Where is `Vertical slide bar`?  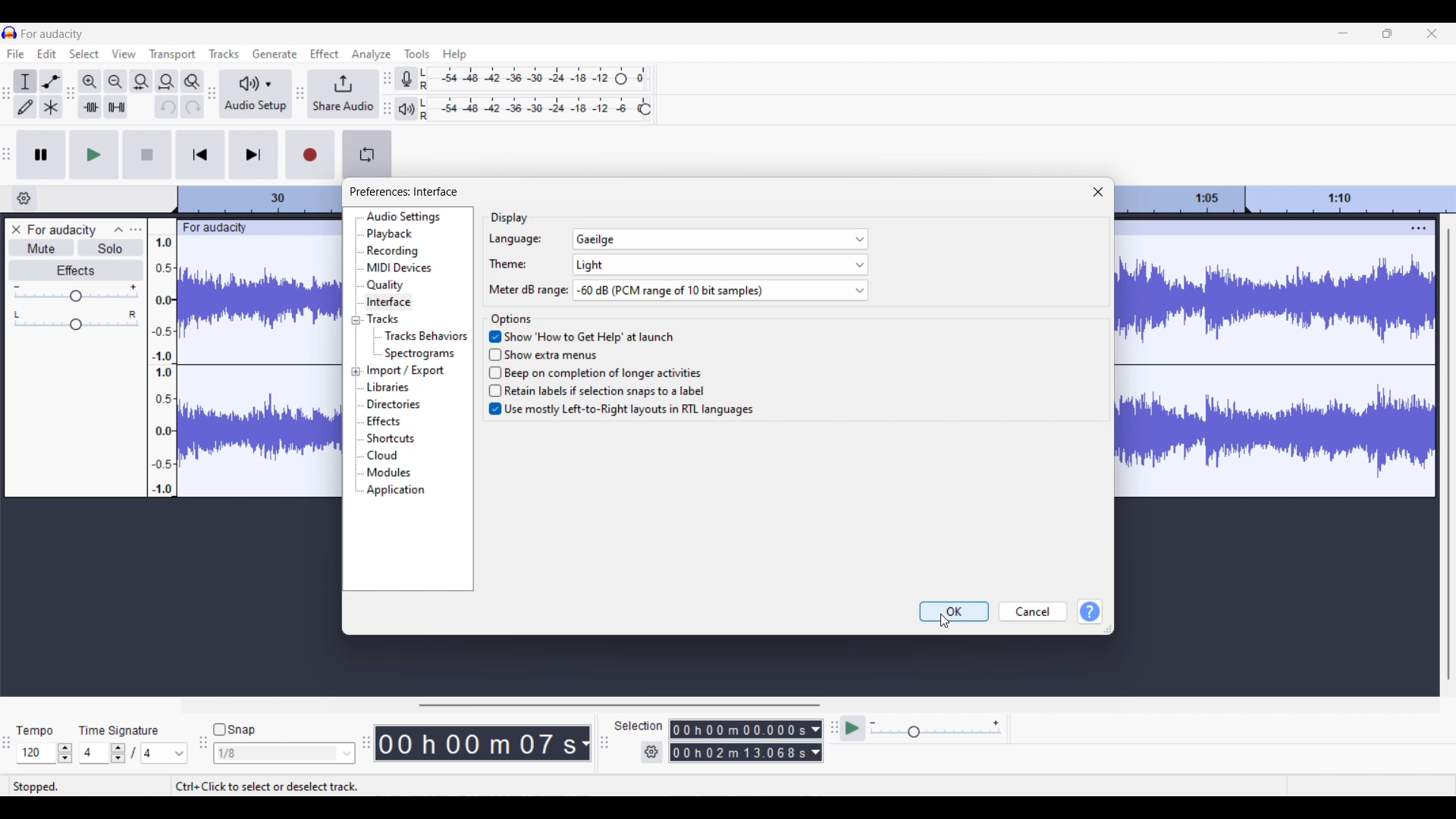
Vertical slide bar is located at coordinates (1449, 454).